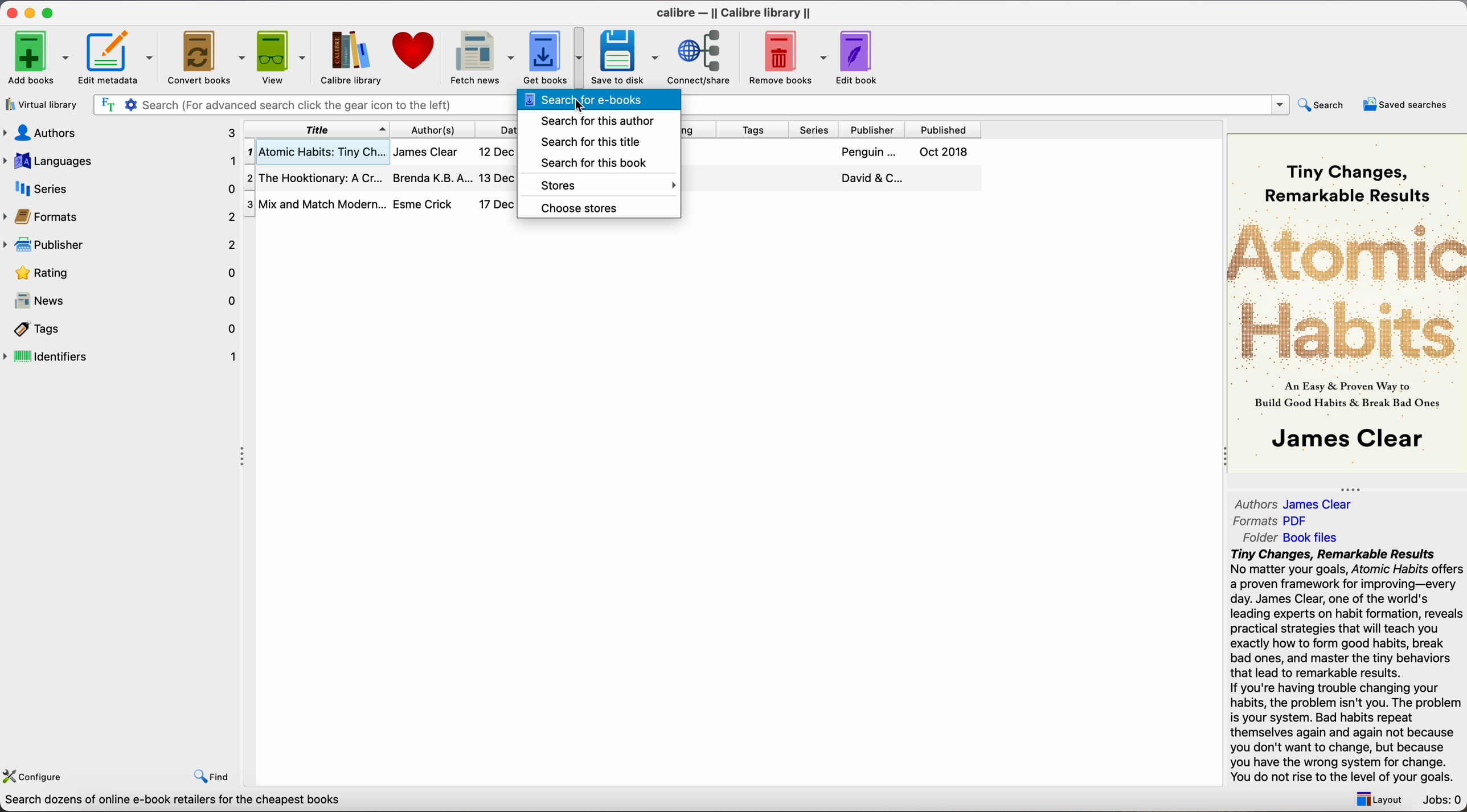  I want to click on edit metadata, so click(119, 59).